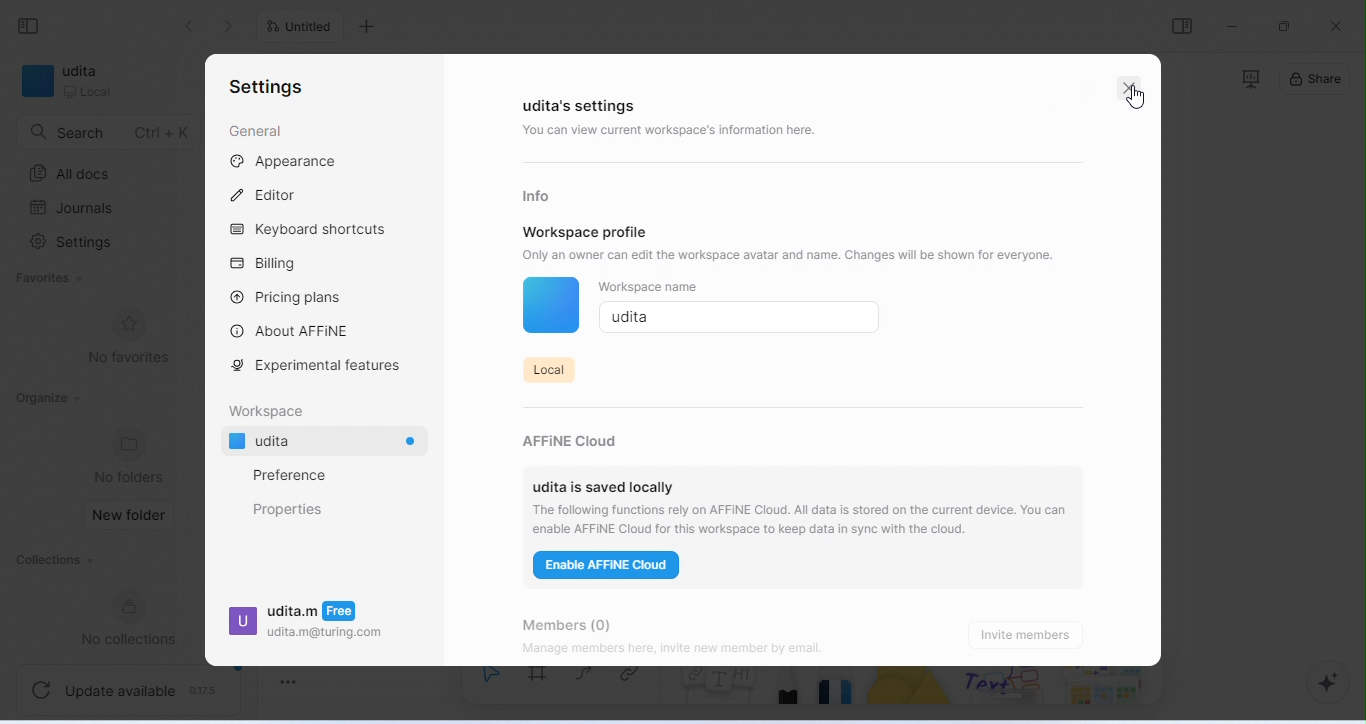 This screenshot has width=1366, height=724. What do you see at coordinates (1316, 81) in the screenshot?
I see `share` at bounding box center [1316, 81].